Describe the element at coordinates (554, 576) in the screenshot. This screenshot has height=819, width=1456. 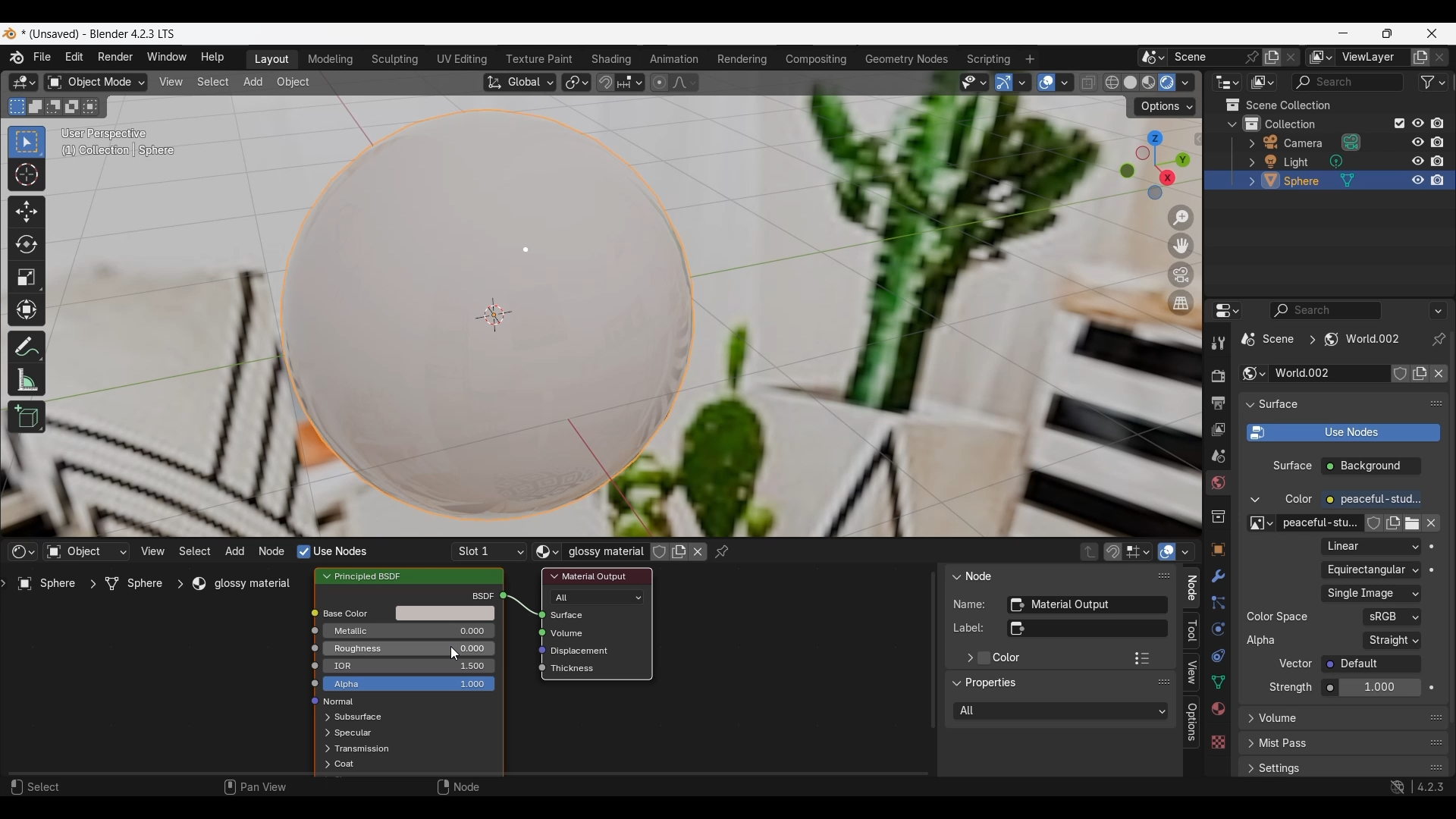
I see `Collapse Material output` at that location.